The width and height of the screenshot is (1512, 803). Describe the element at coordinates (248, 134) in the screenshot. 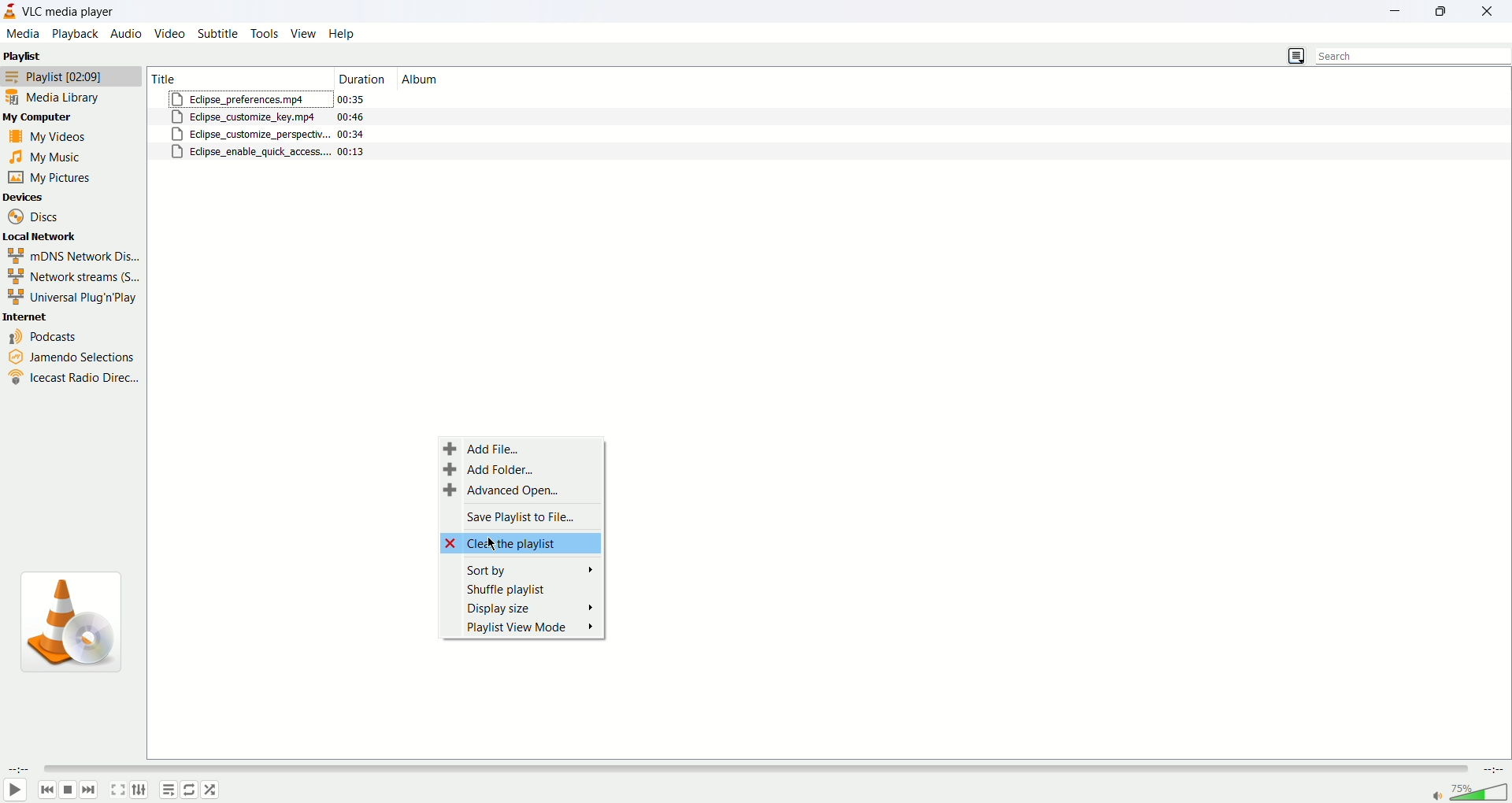

I see `eclipse_customize_perspective` at that location.